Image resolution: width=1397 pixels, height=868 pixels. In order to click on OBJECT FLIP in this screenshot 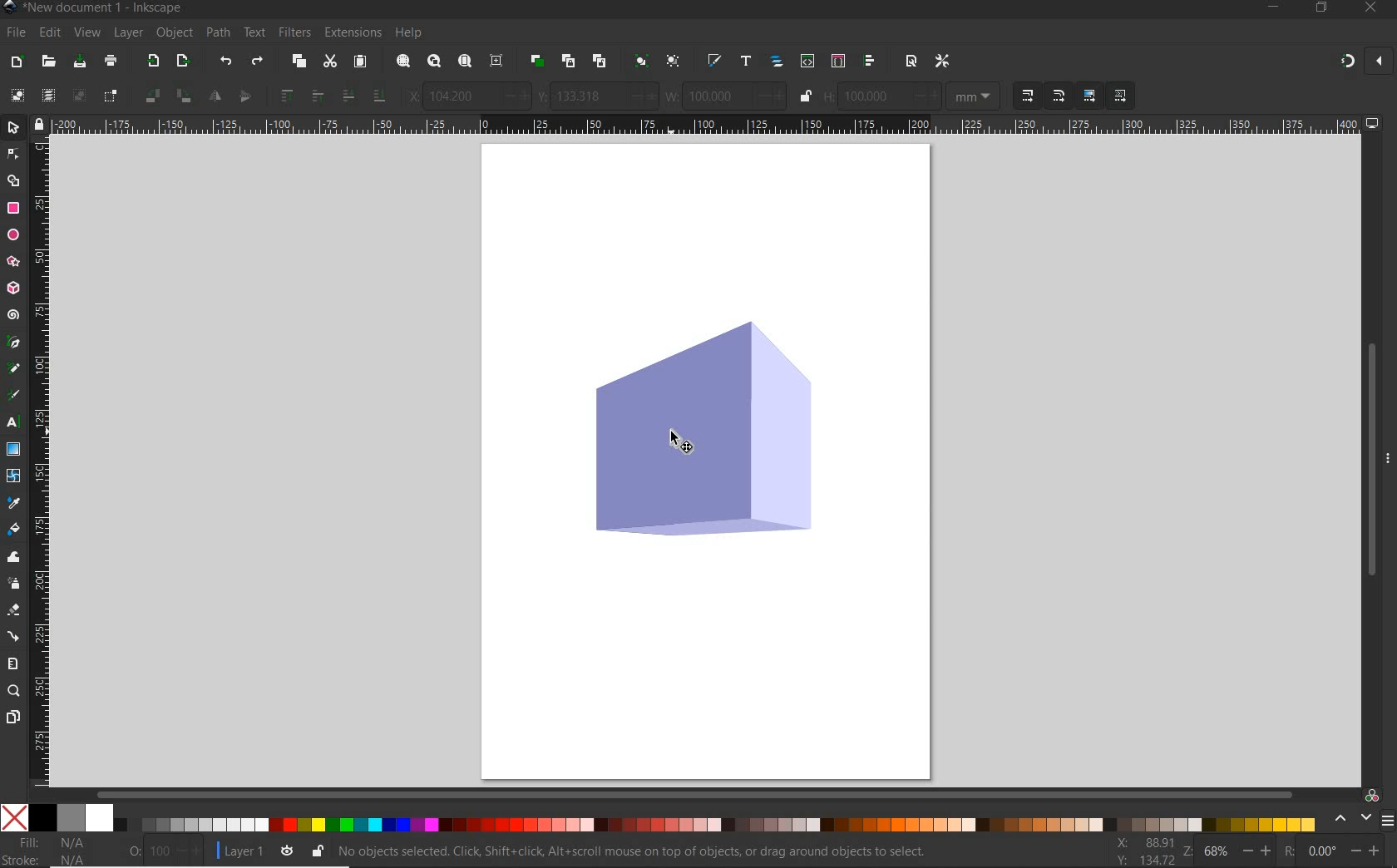, I will do `click(244, 98)`.